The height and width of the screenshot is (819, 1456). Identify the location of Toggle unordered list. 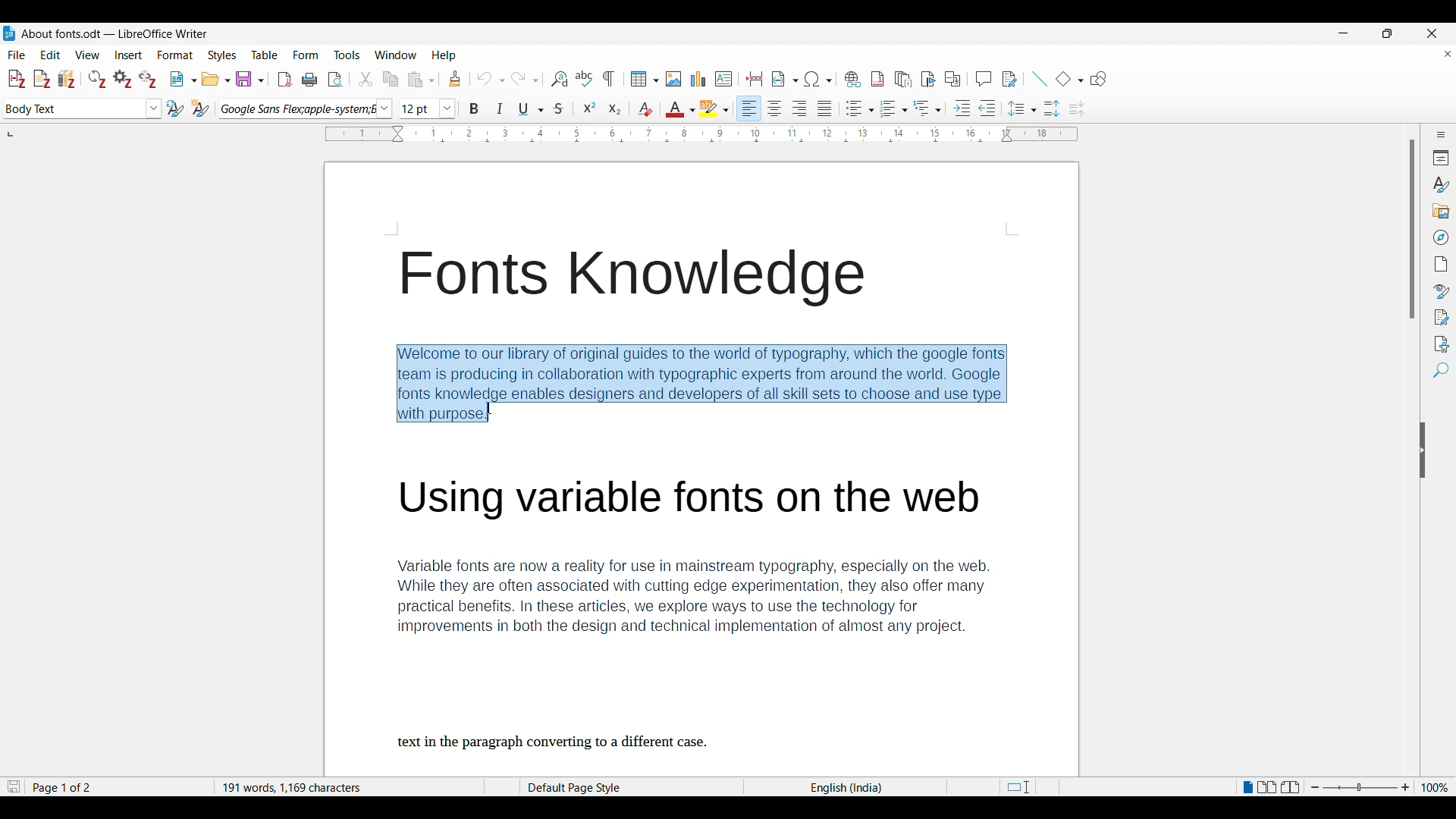
(860, 108).